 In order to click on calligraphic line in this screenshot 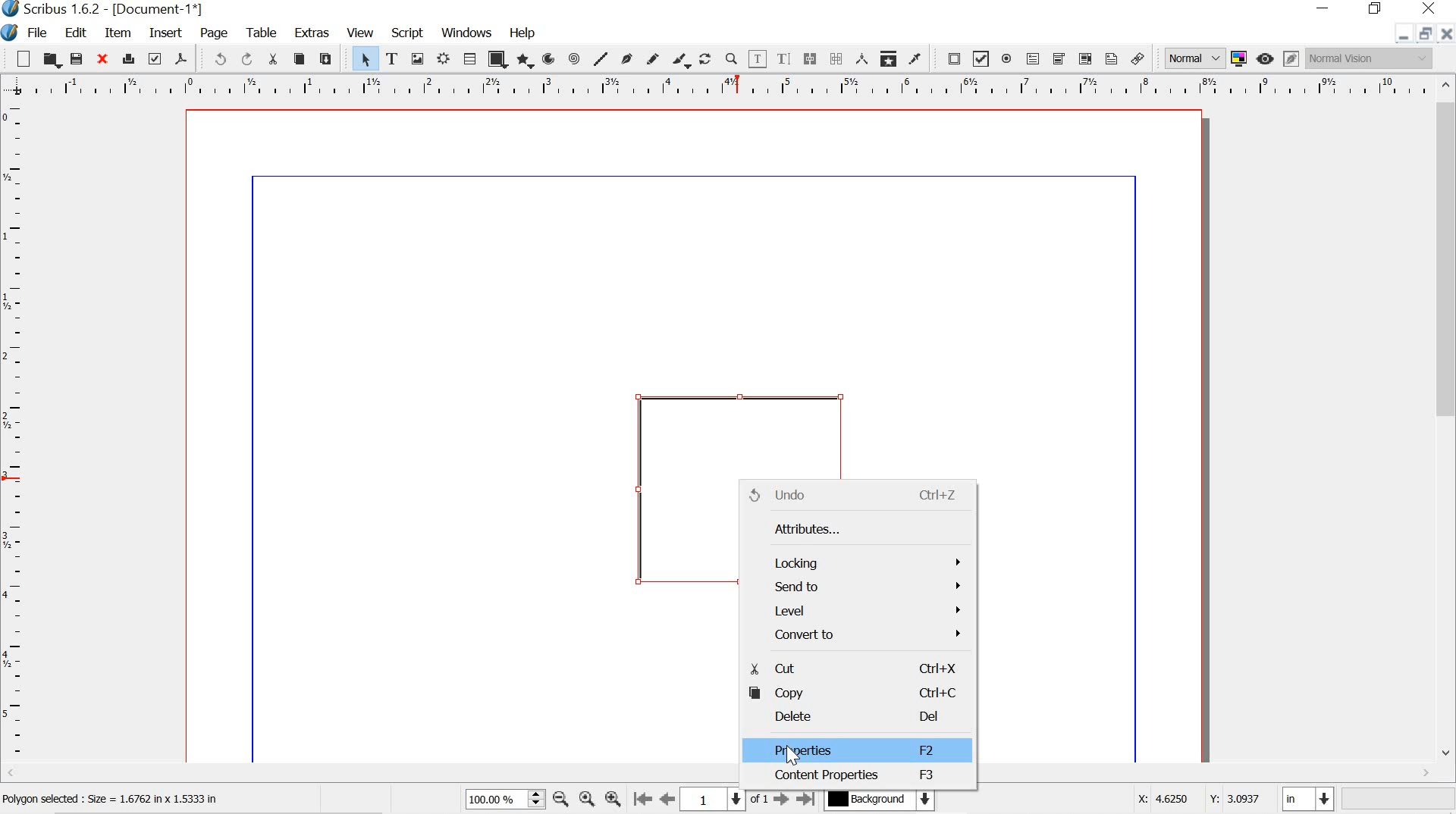, I will do `click(681, 60)`.